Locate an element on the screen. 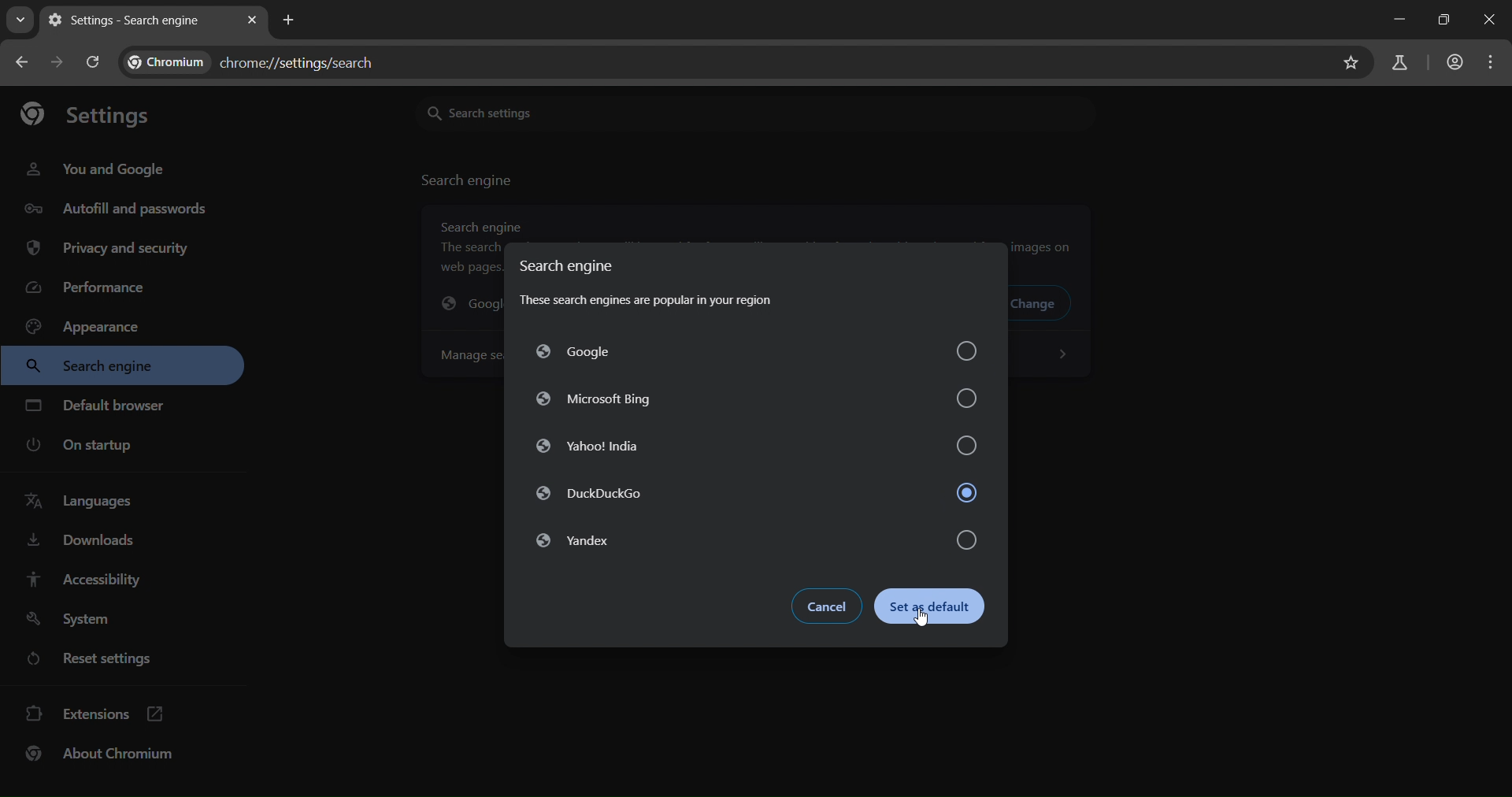 This screenshot has height=797, width=1512. chrome://settings/search is located at coordinates (261, 59).